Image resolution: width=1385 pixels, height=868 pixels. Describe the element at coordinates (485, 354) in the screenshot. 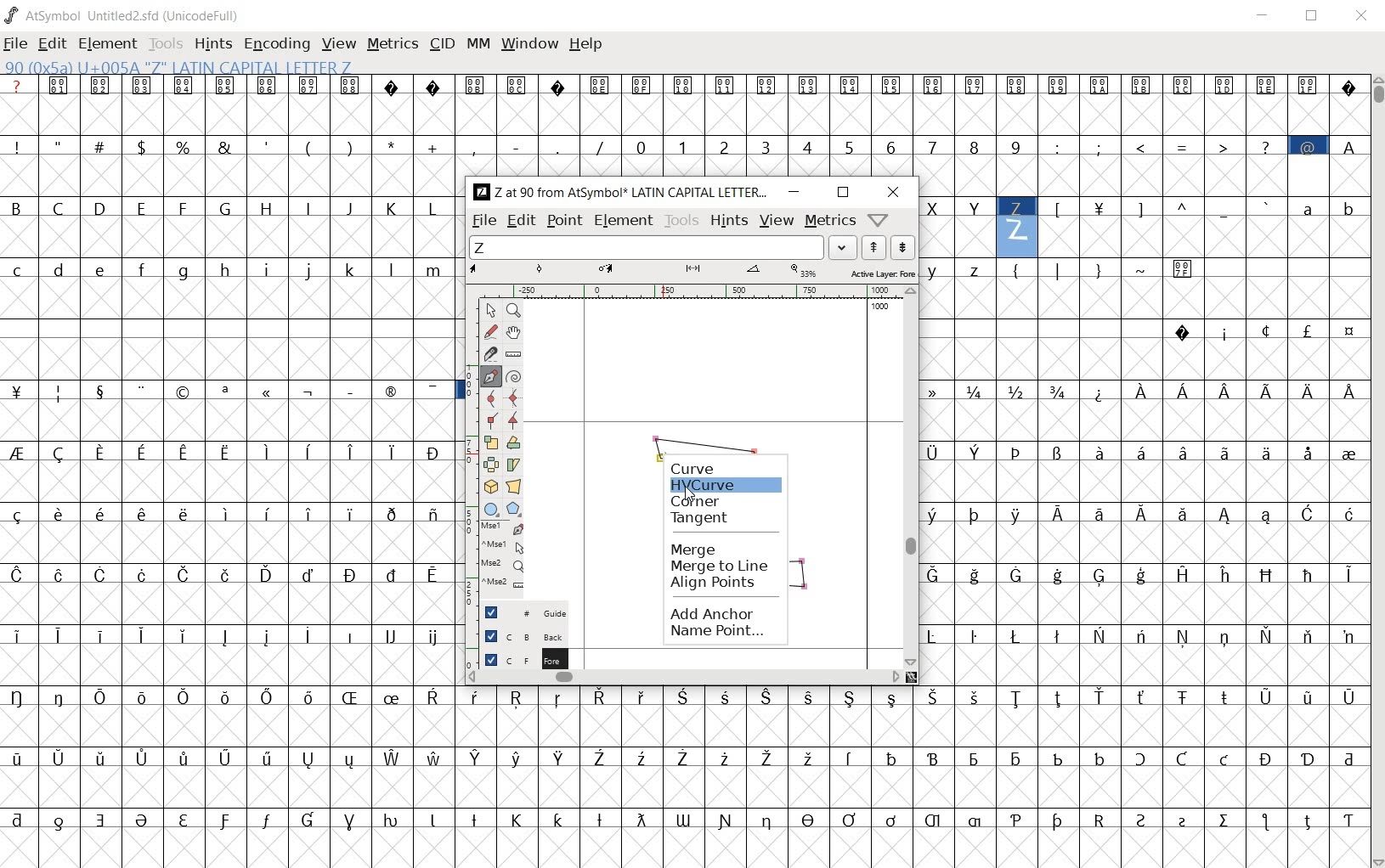

I see `cut splines in two` at that location.